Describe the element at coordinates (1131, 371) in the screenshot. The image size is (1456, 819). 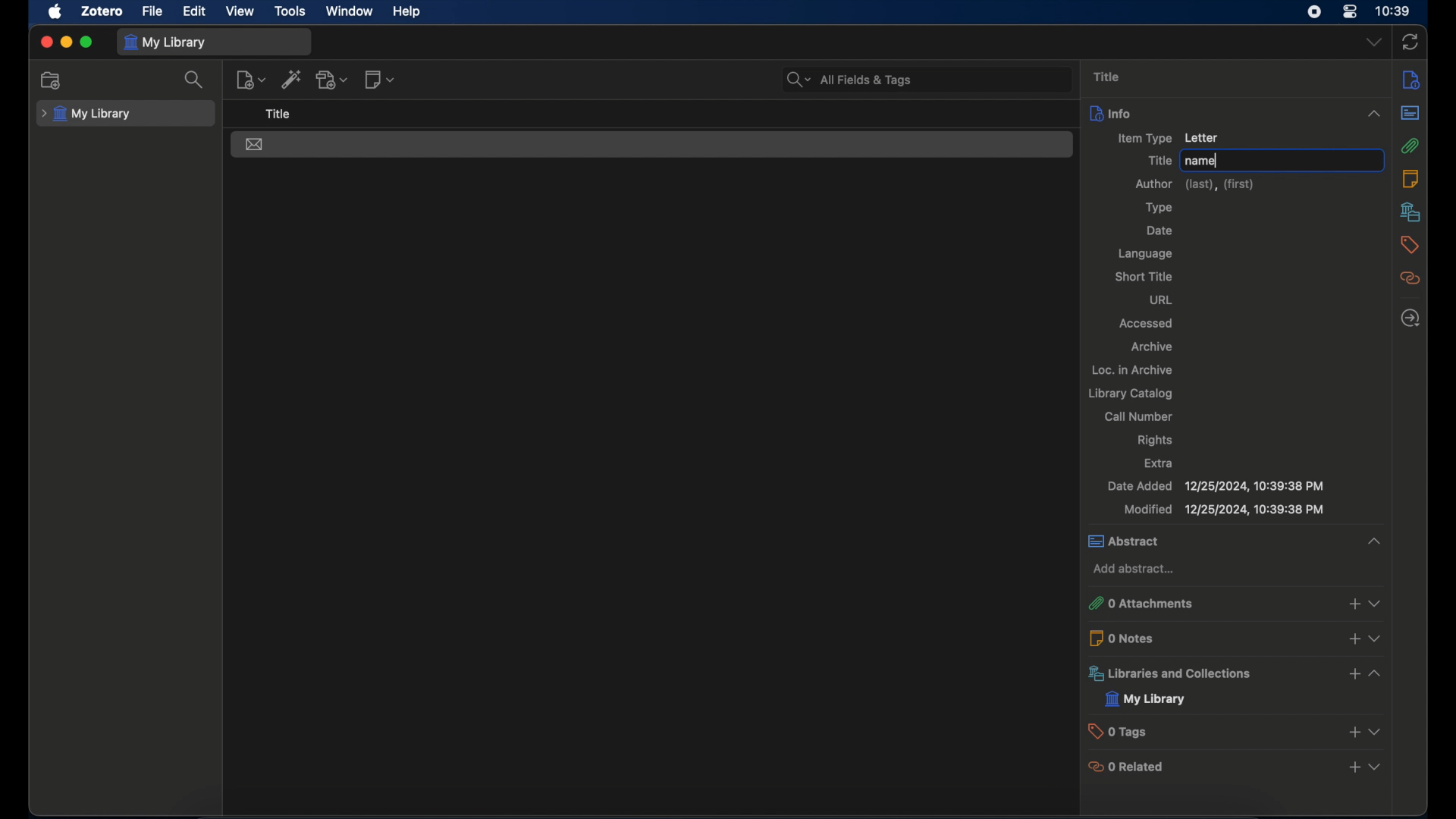
I see `oc. in archive` at that location.